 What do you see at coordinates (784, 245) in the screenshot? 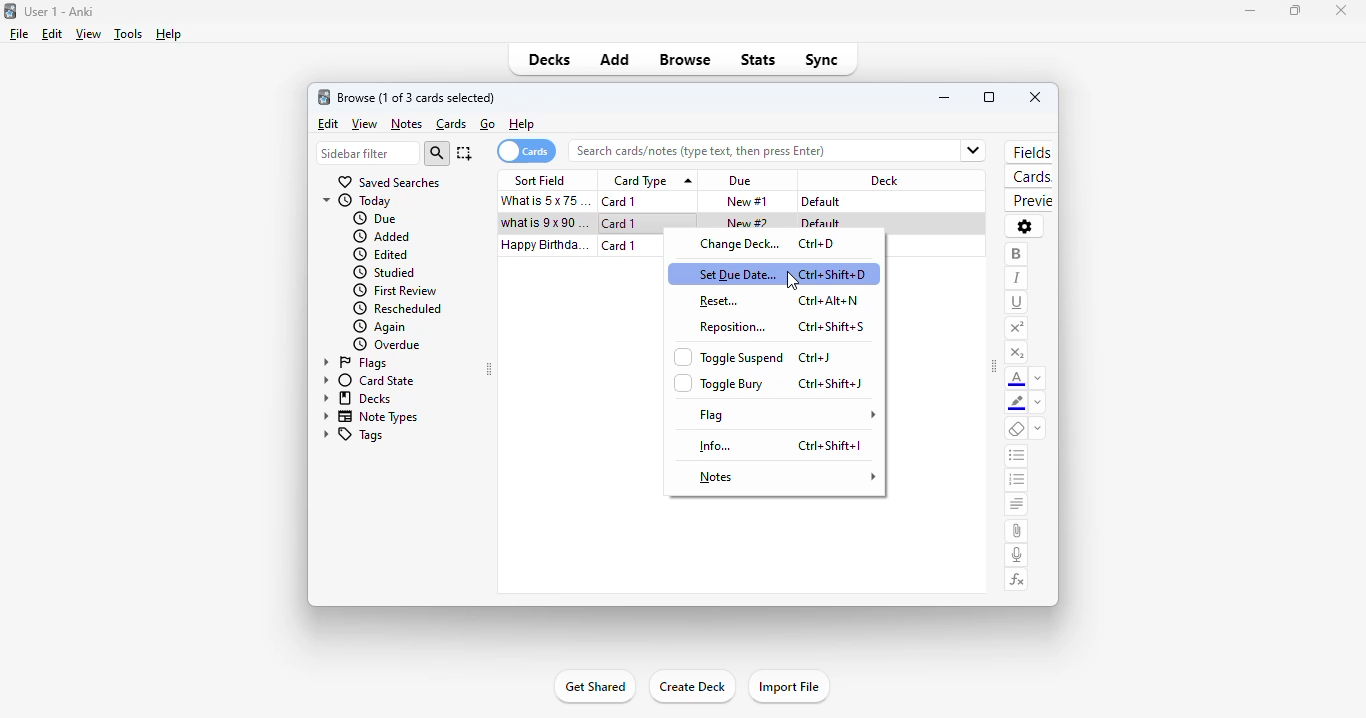
I see `change deck.. Ctrl + D` at bounding box center [784, 245].